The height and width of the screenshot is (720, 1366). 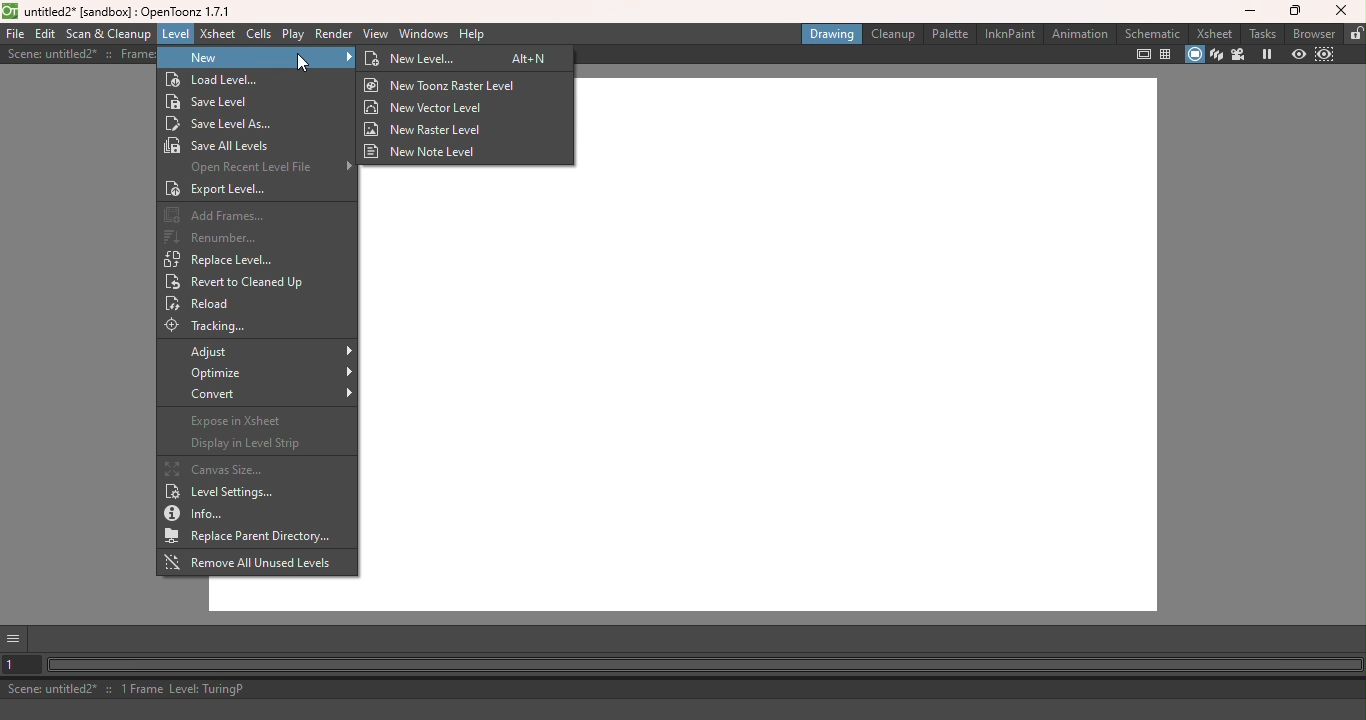 I want to click on InknPaint, so click(x=1007, y=36).